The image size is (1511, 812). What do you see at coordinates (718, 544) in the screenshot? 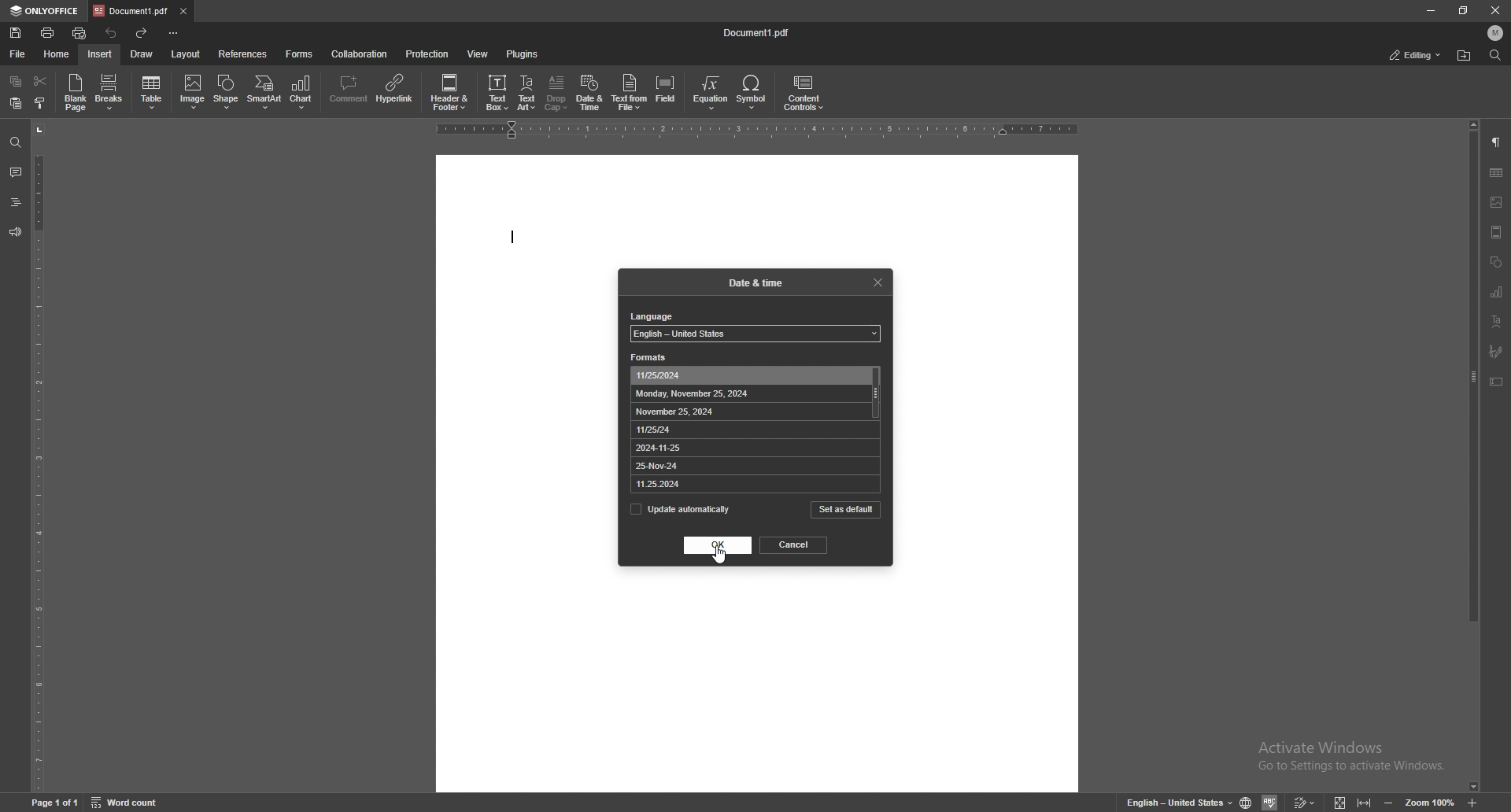
I see `ok` at bounding box center [718, 544].